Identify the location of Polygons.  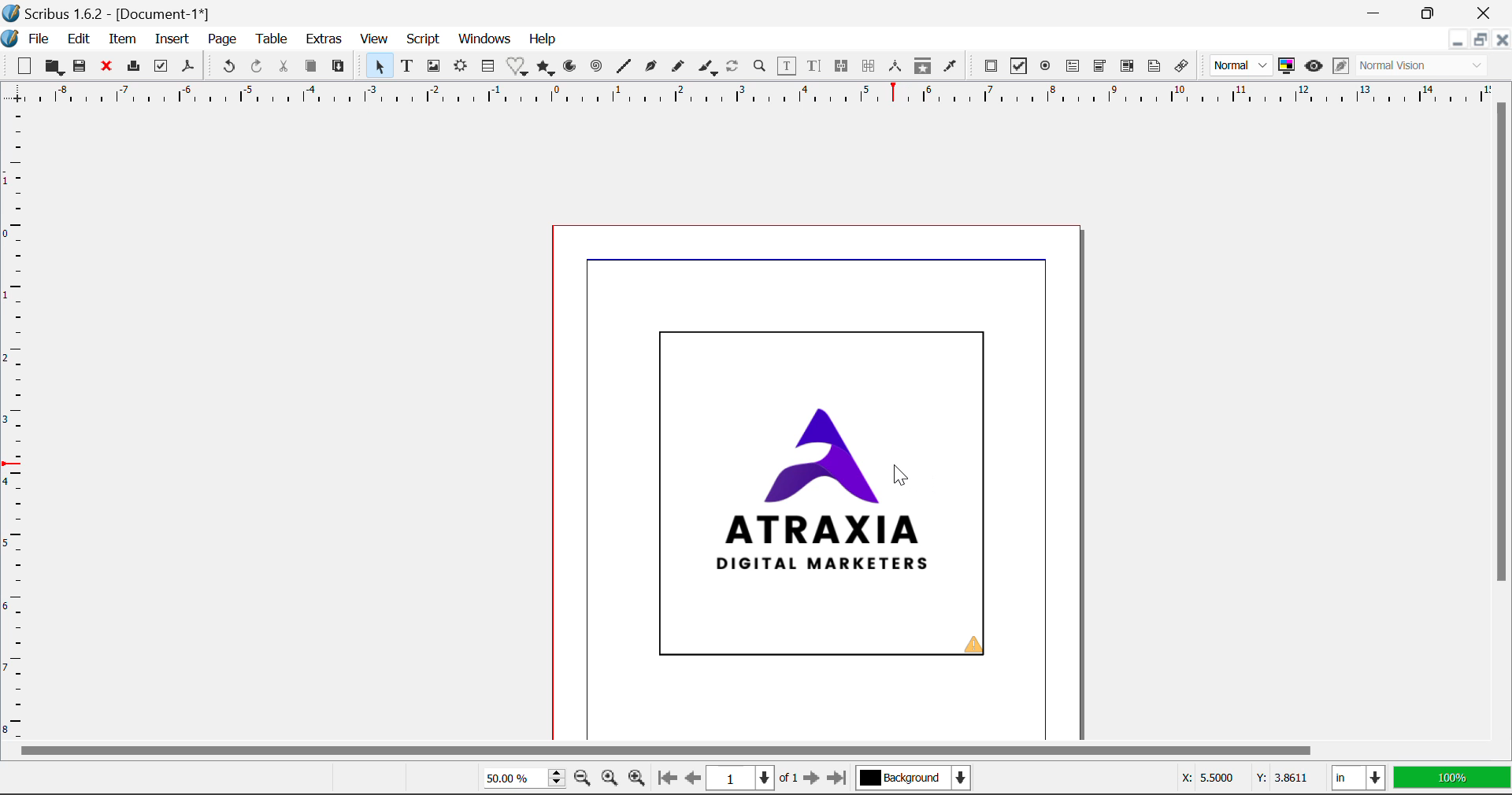
(547, 68).